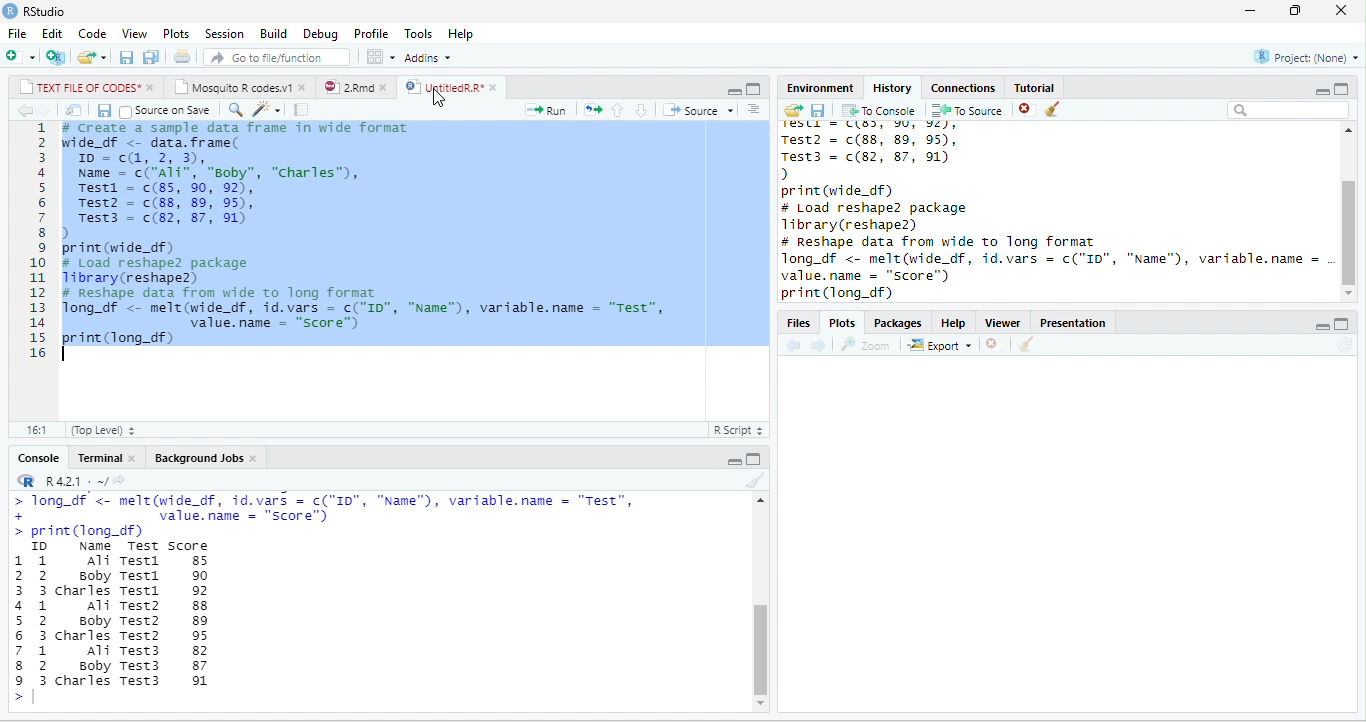 Image resolution: width=1366 pixels, height=722 pixels. What do you see at coordinates (322, 35) in the screenshot?
I see `Debug` at bounding box center [322, 35].